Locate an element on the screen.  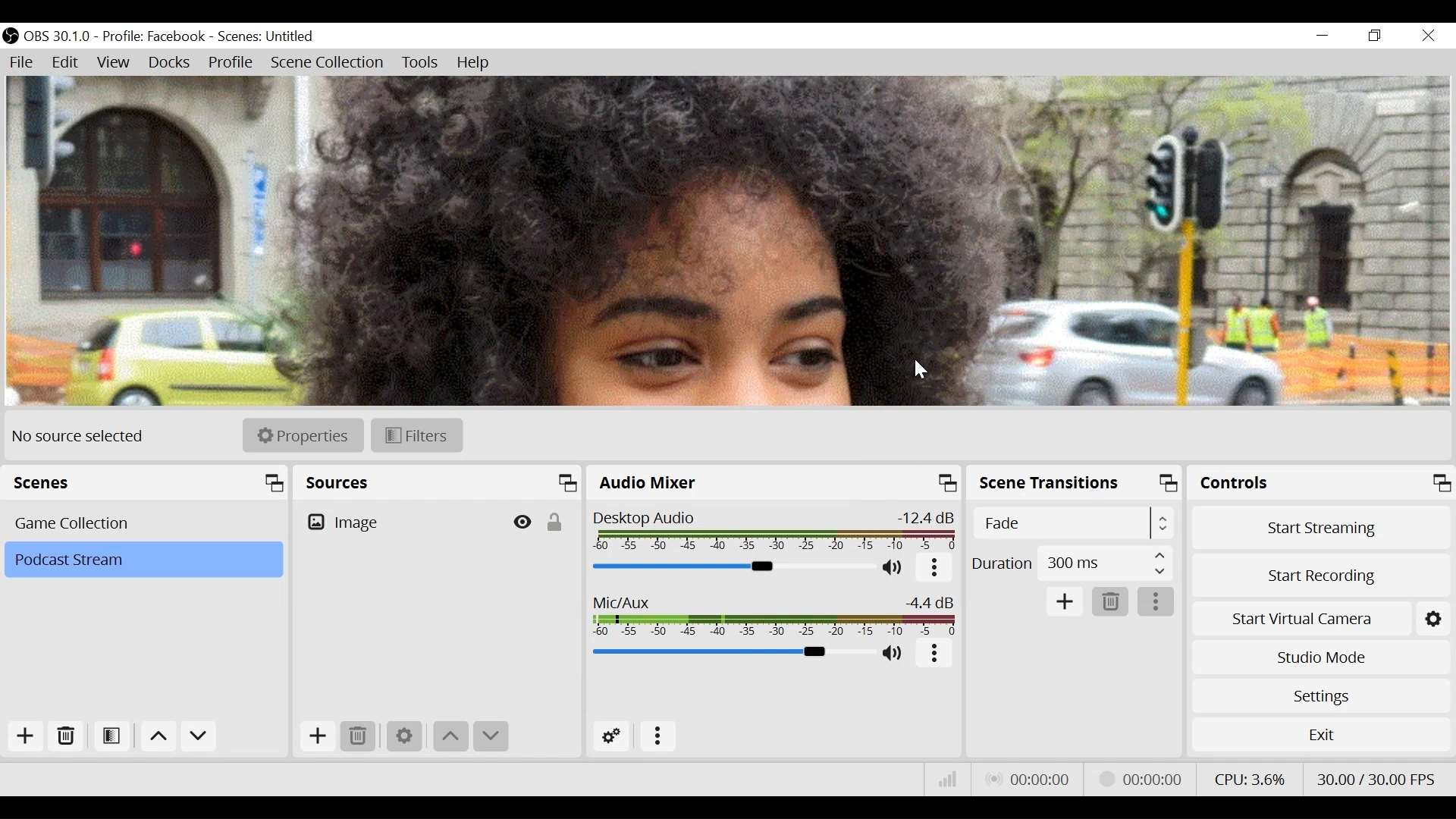
Start Recording is located at coordinates (1322, 574).